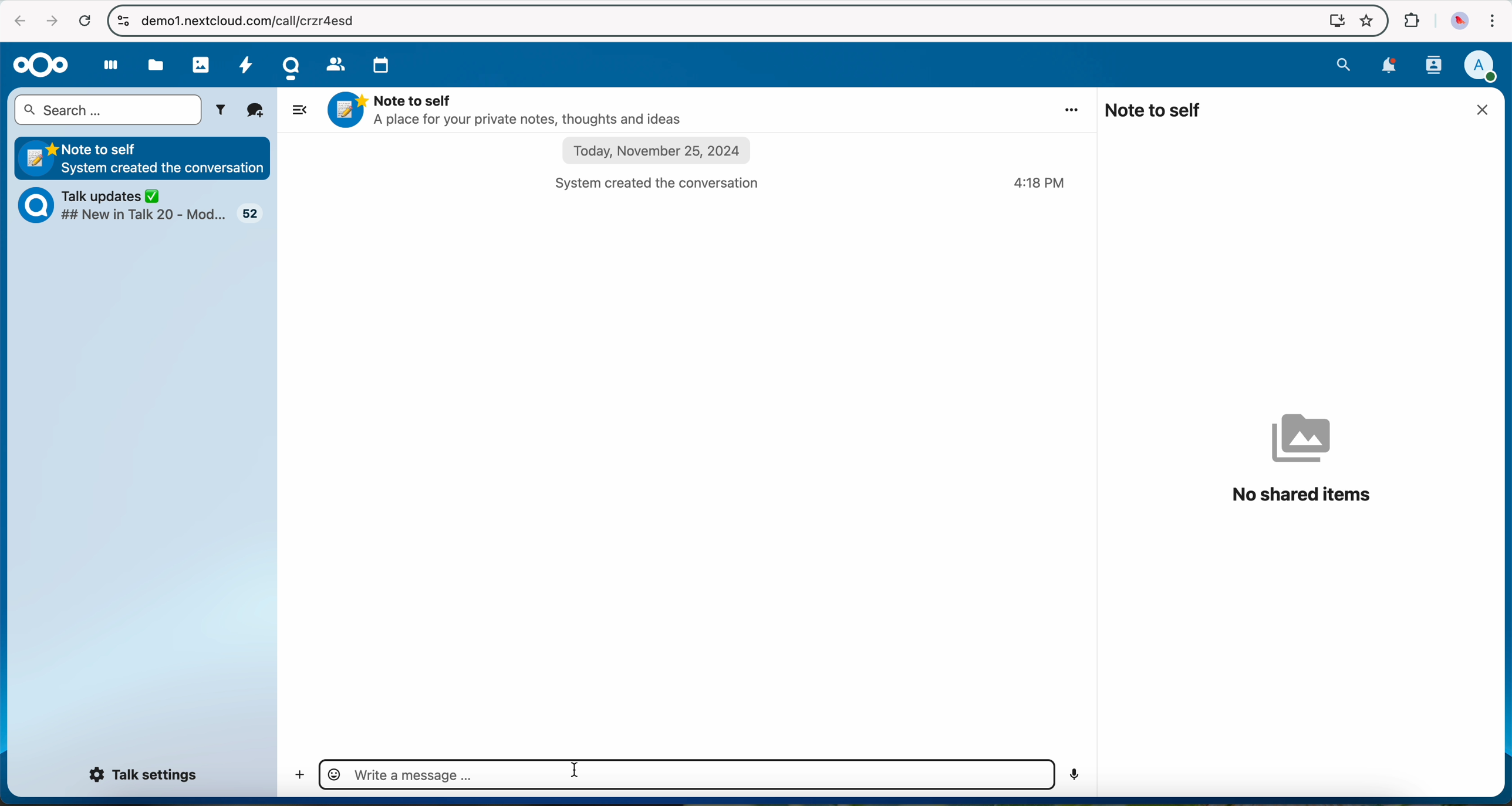 Image resolution: width=1512 pixels, height=806 pixels. What do you see at coordinates (1332, 21) in the screenshot?
I see `screen` at bounding box center [1332, 21].